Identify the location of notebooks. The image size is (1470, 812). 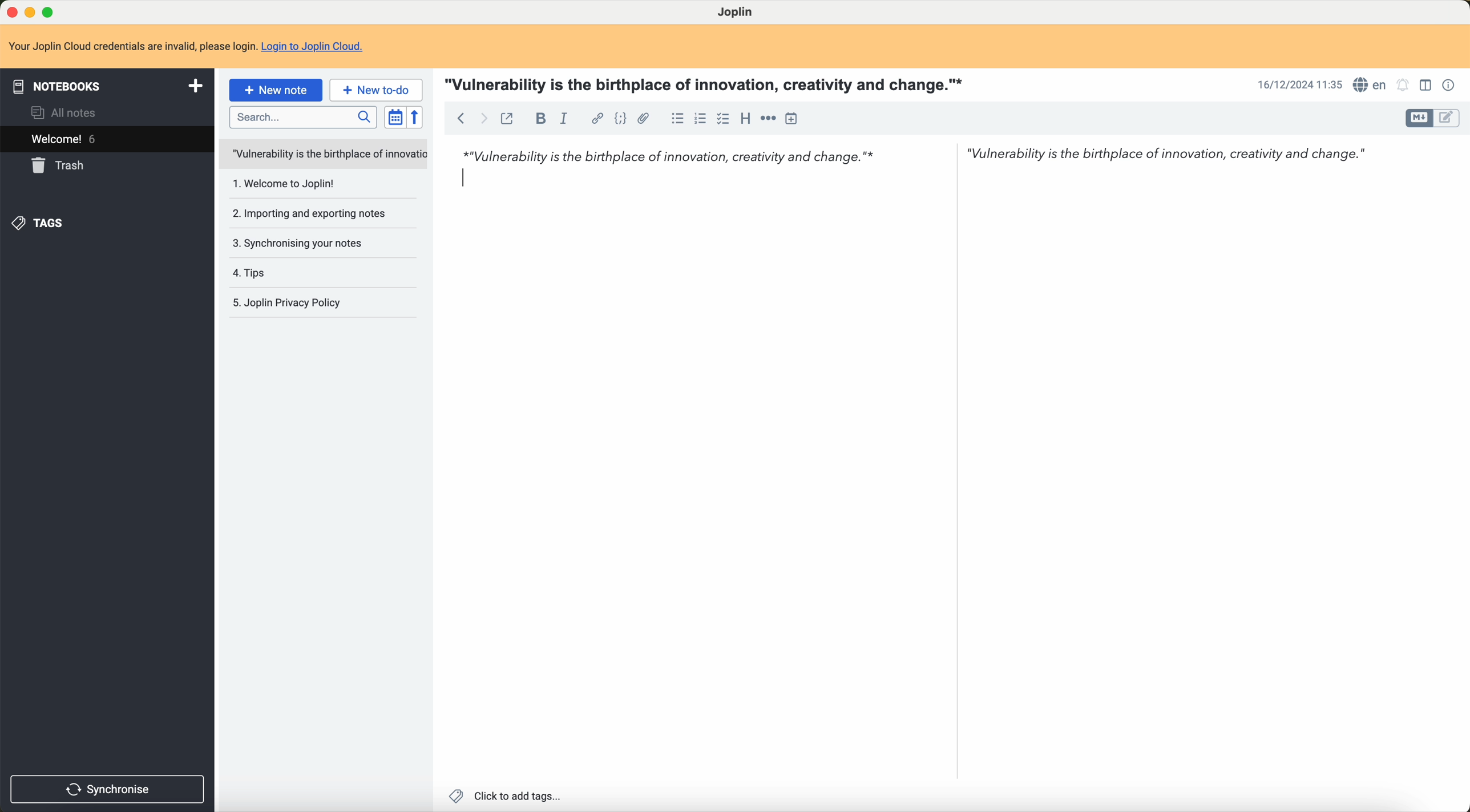
(105, 85).